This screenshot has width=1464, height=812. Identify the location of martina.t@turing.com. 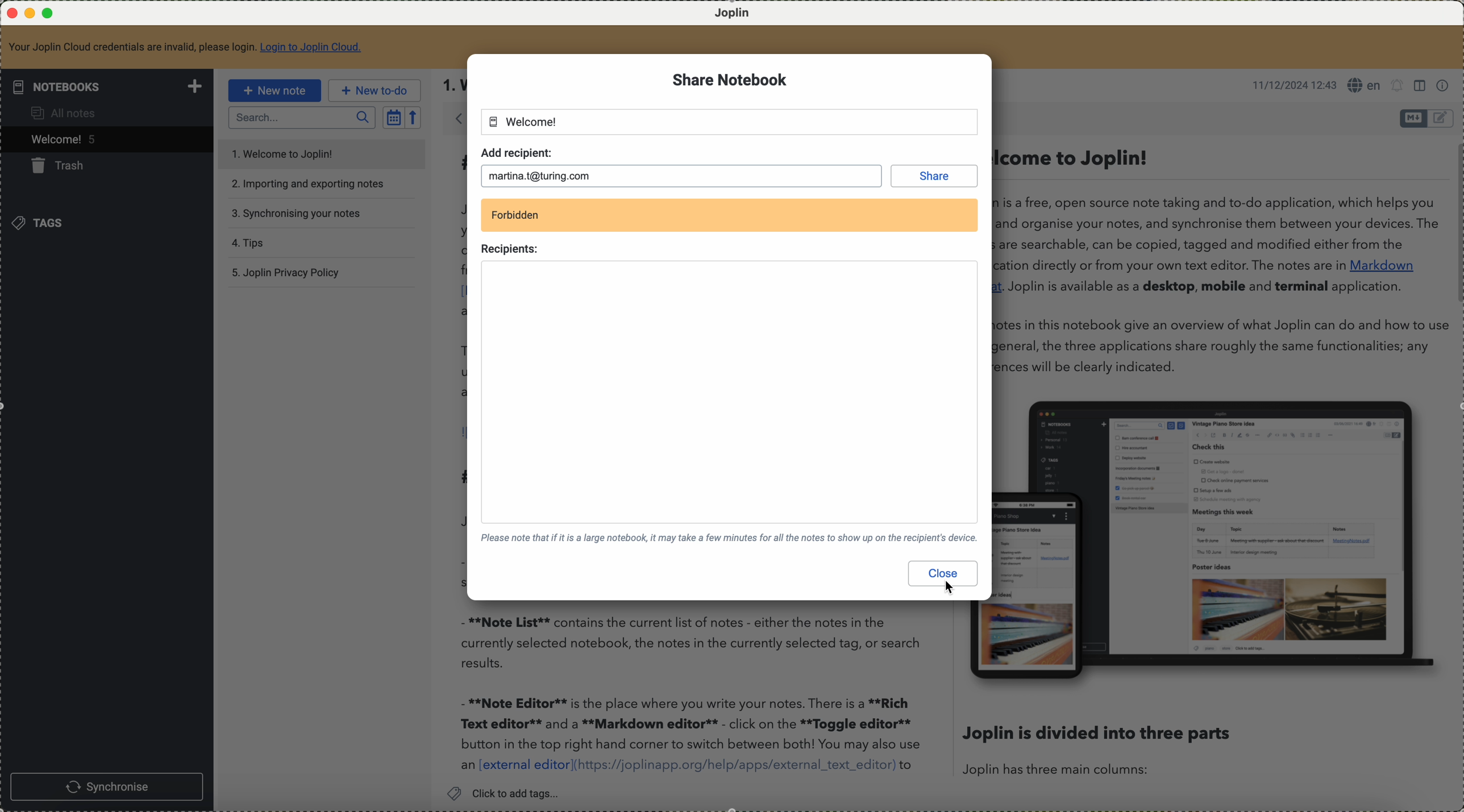
(543, 174).